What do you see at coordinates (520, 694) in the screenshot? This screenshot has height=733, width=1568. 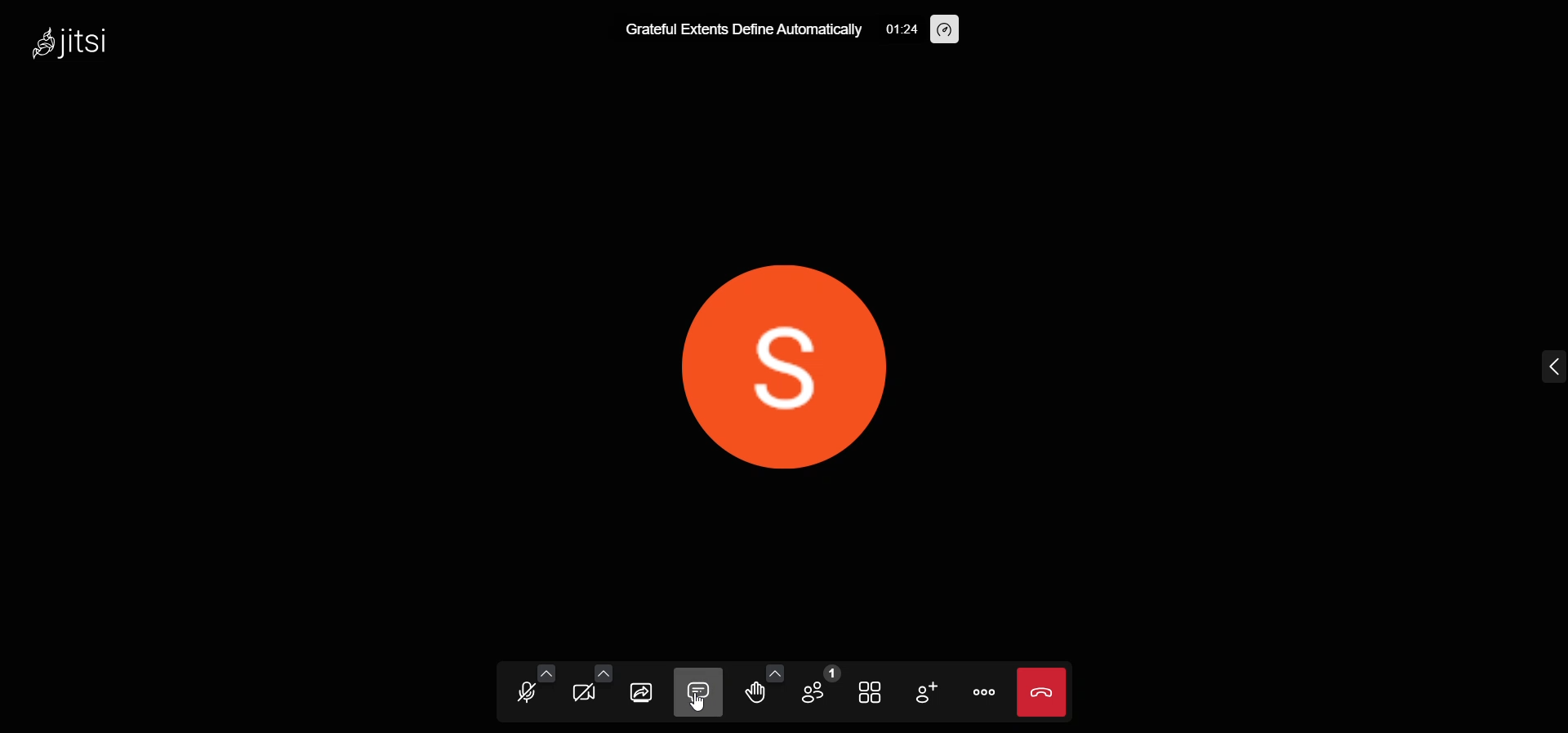 I see `microphone` at bounding box center [520, 694].